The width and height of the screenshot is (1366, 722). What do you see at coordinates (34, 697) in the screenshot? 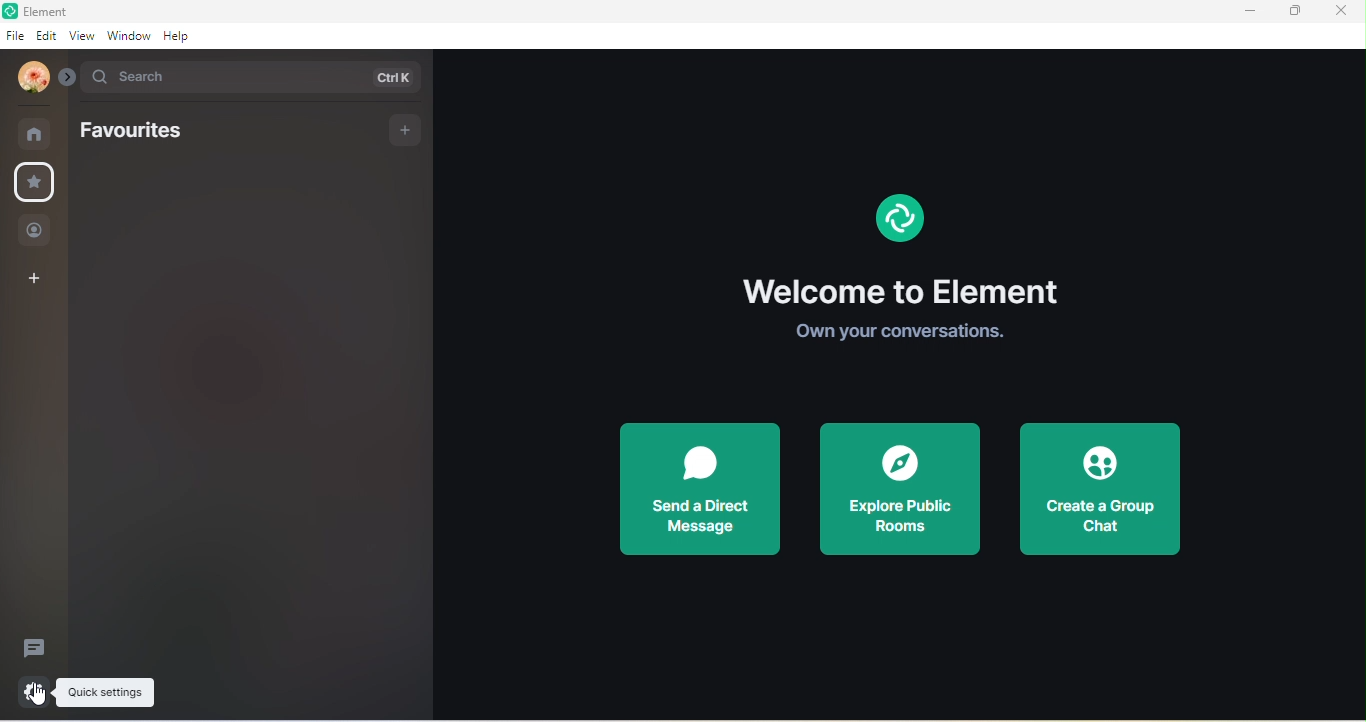
I see `cursor` at bounding box center [34, 697].